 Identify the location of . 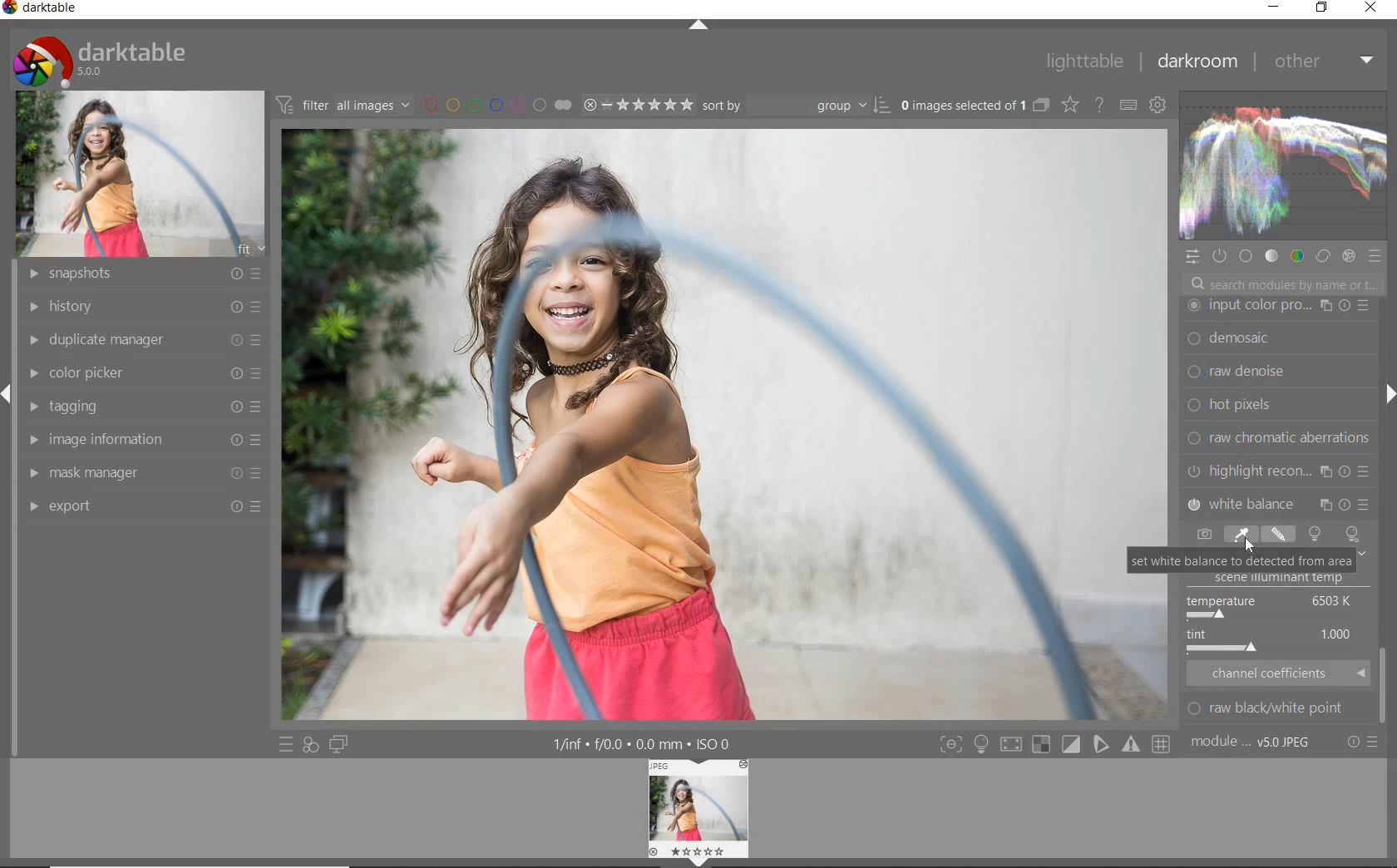
(1385, 680).